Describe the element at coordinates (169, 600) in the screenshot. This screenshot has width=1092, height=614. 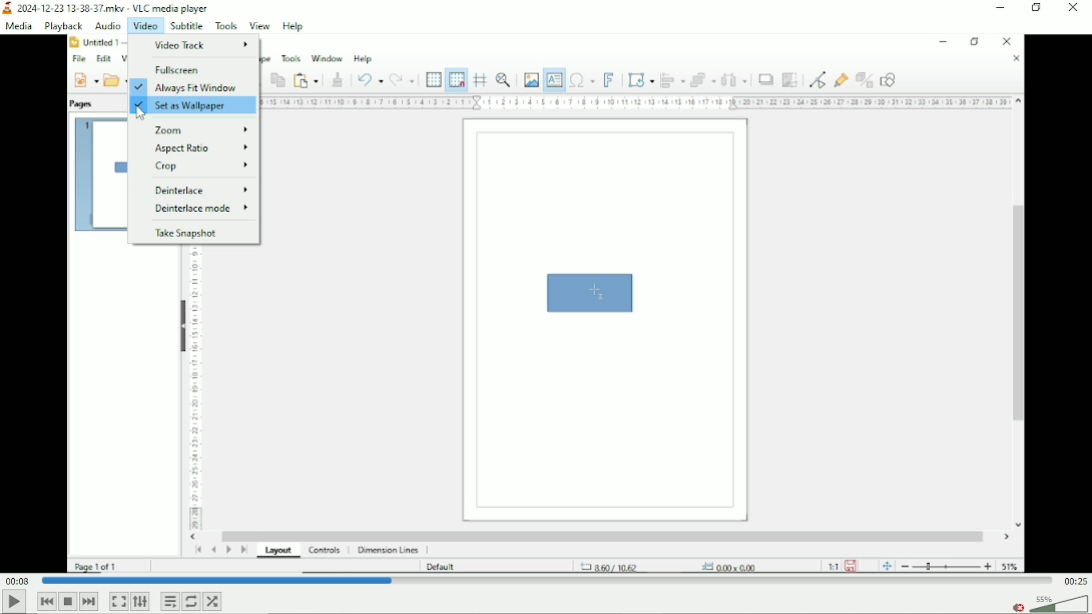
I see `Toggle playlist` at that location.